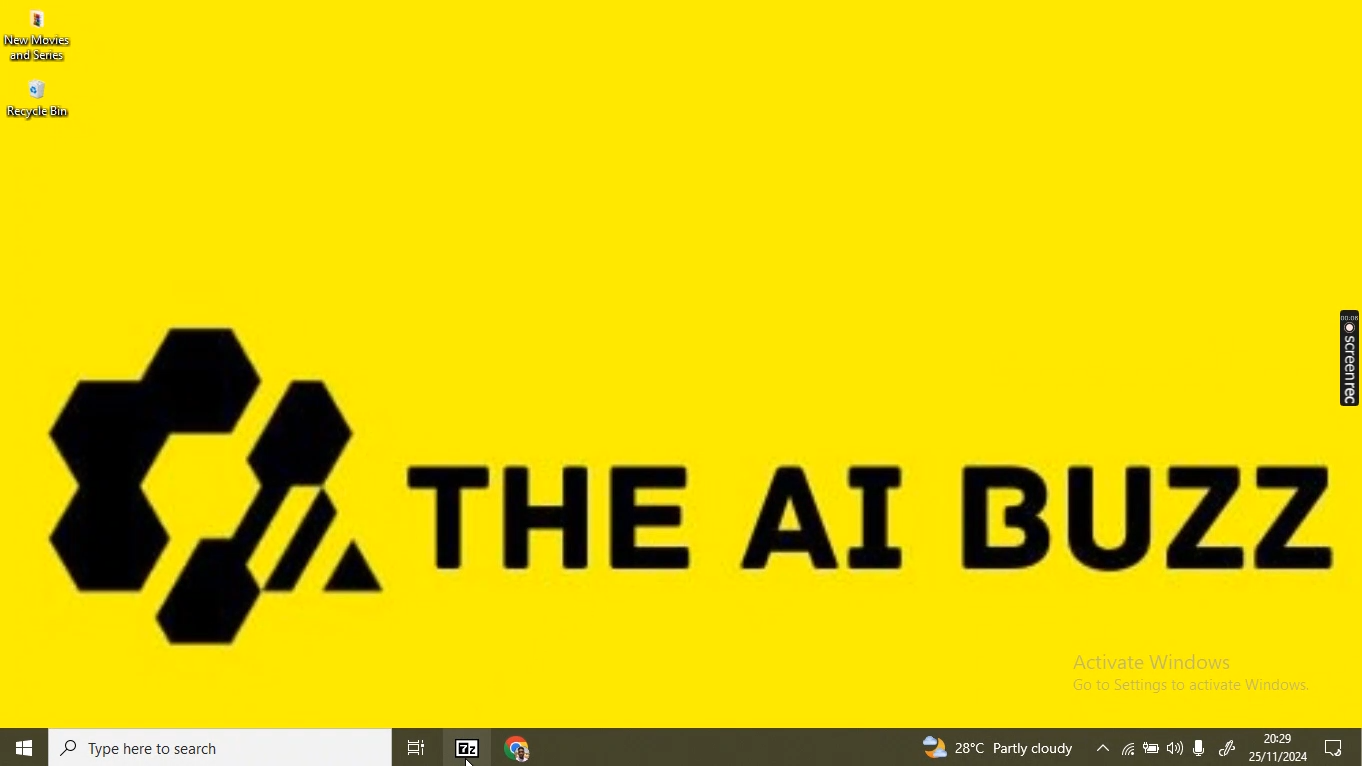 Image resolution: width=1362 pixels, height=766 pixels. Describe the element at coordinates (1127, 751) in the screenshot. I see `wifi` at that location.